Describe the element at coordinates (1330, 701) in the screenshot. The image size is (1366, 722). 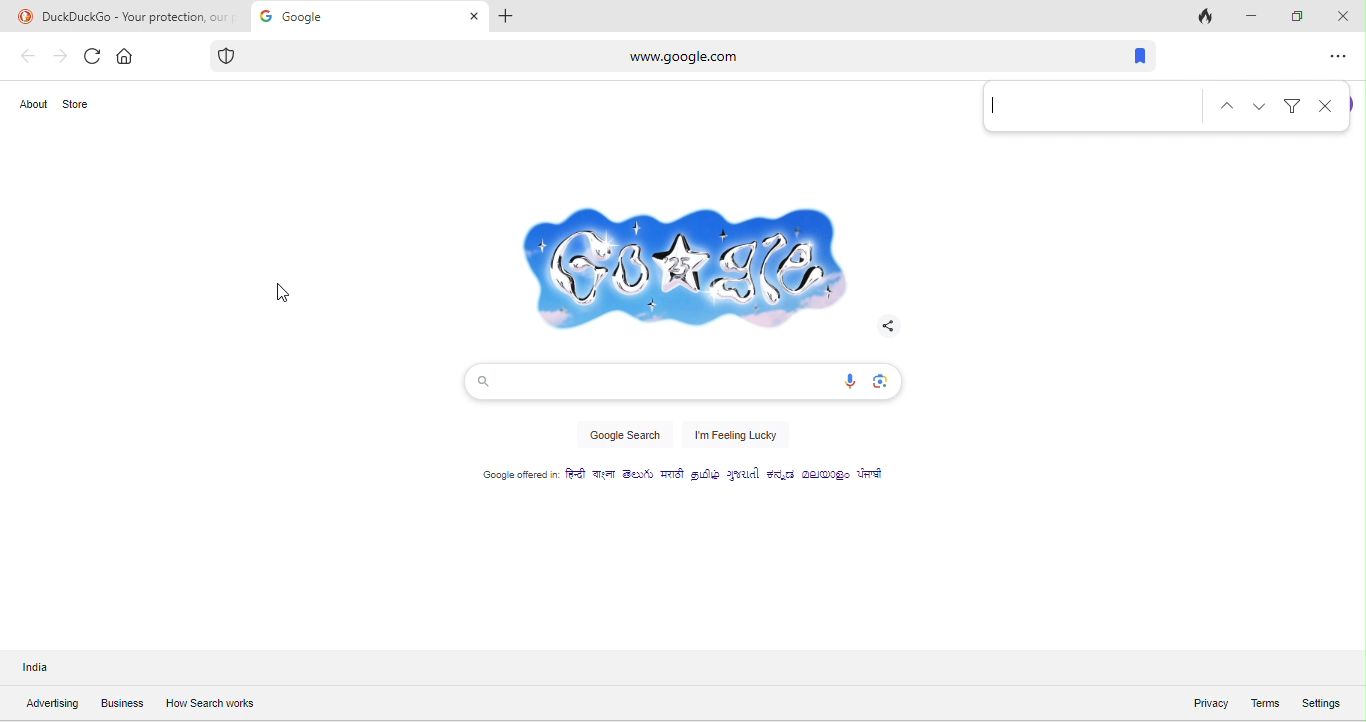
I see `settings` at that location.